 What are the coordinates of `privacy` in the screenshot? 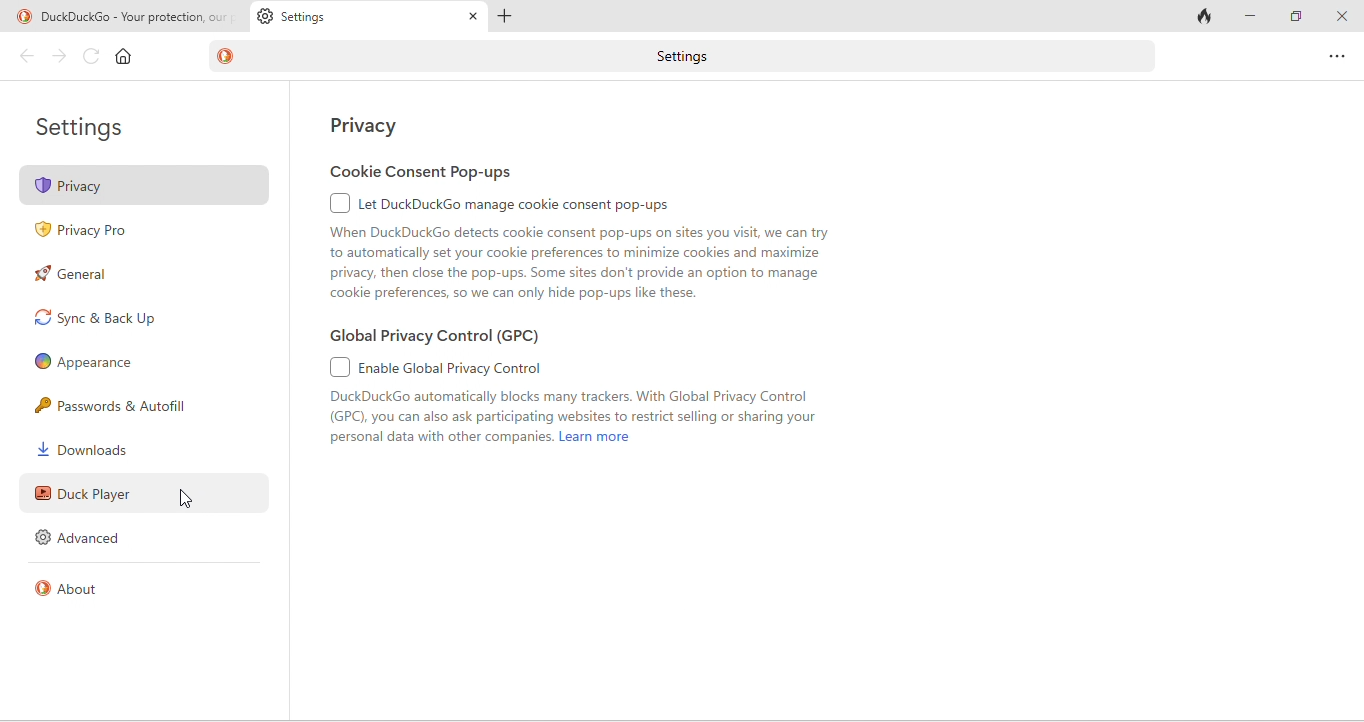 It's located at (143, 186).